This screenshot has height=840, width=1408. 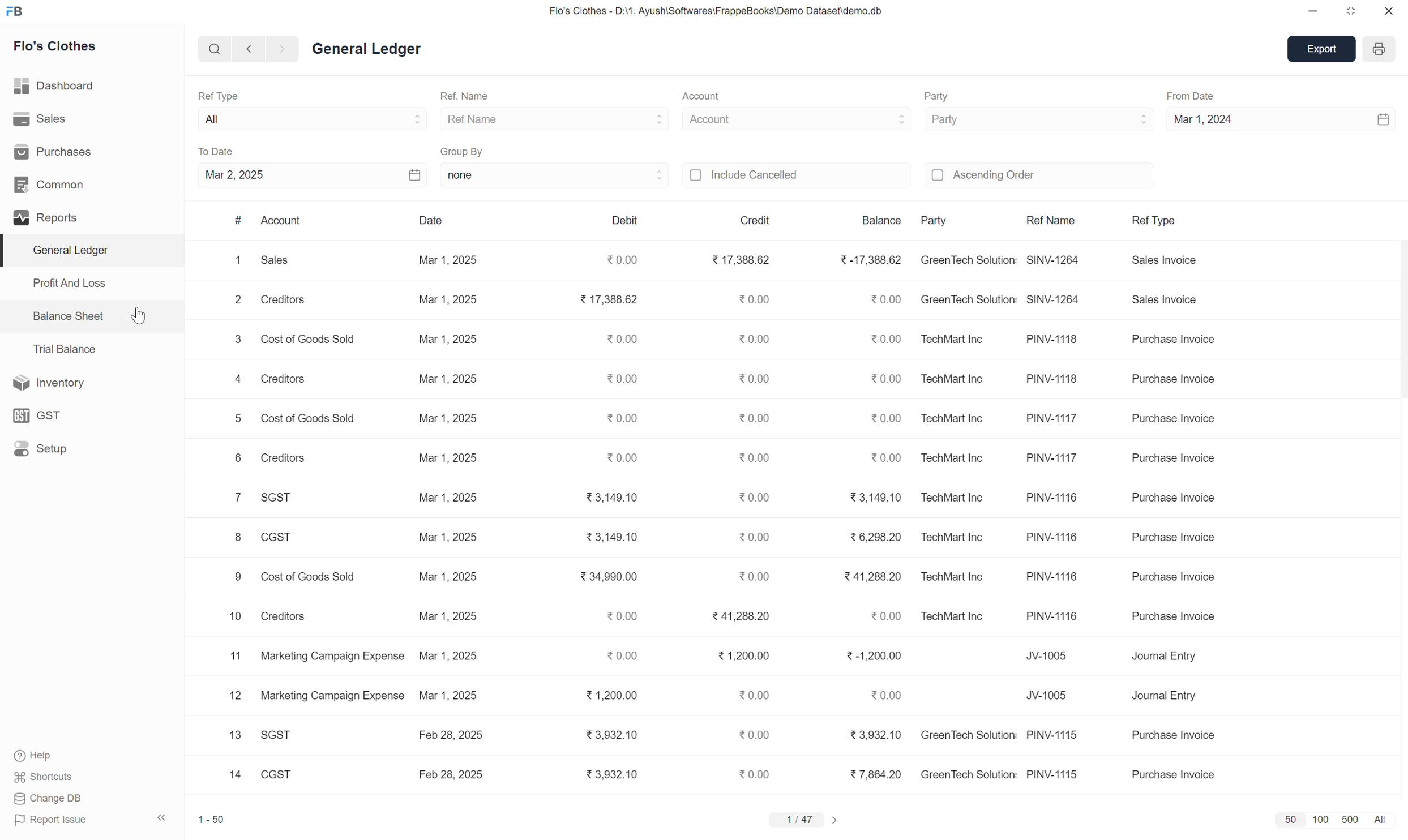 I want to click on cost of goods sold, so click(x=310, y=340).